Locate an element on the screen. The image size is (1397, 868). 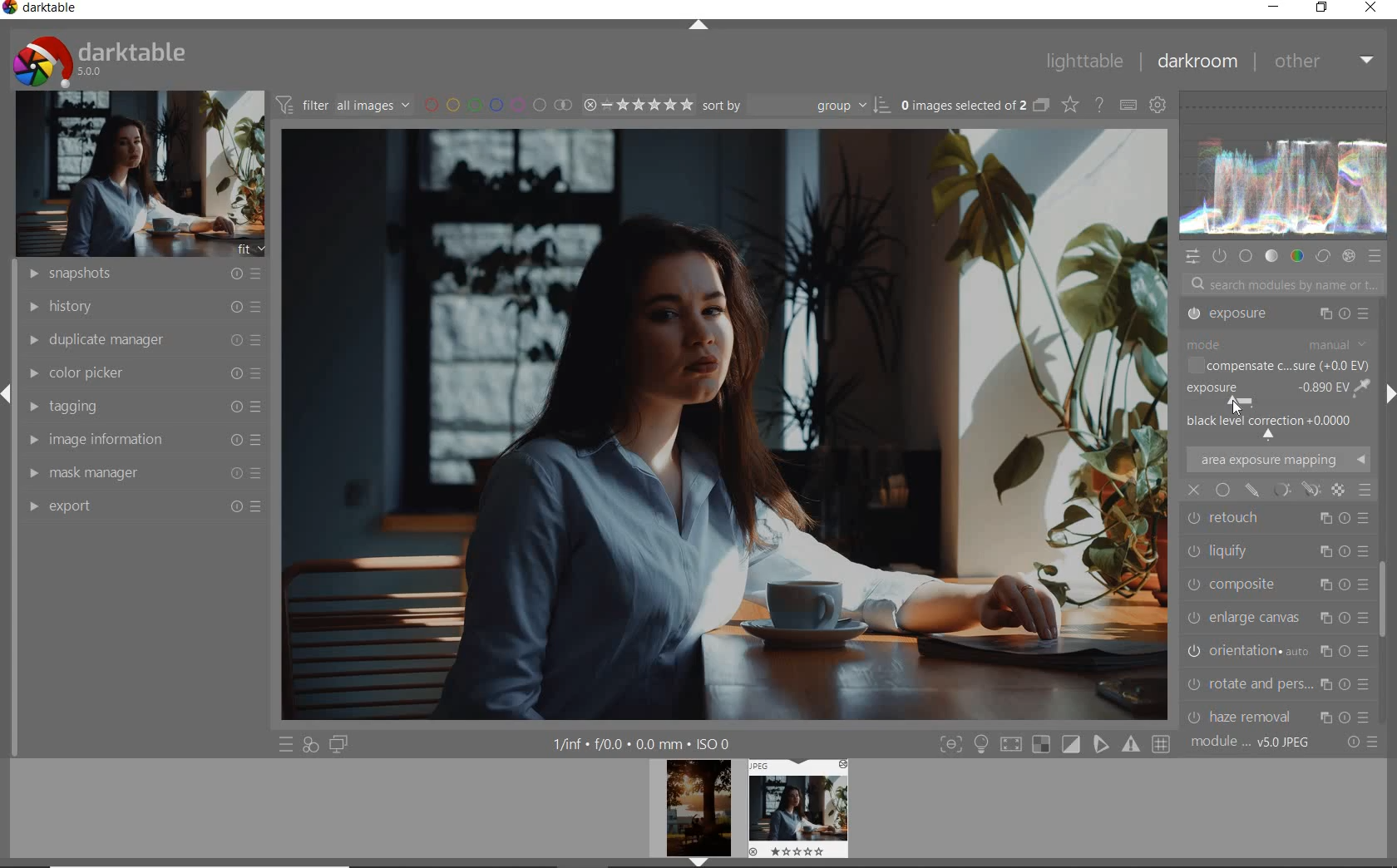
QUICK ACCESS PANEL is located at coordinates (1192, 257).